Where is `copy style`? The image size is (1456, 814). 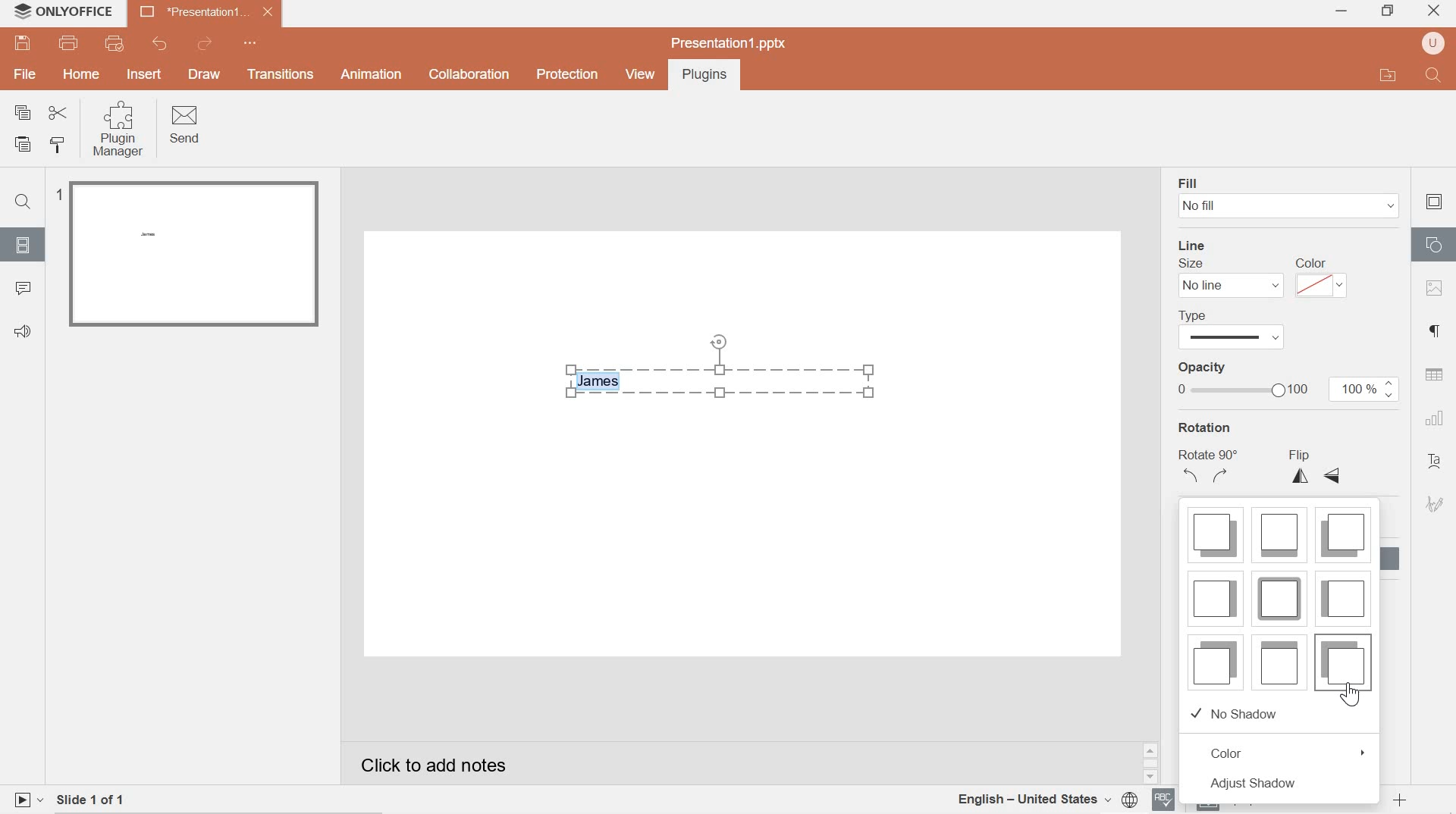 copy style is located at coordinates (62, 146).